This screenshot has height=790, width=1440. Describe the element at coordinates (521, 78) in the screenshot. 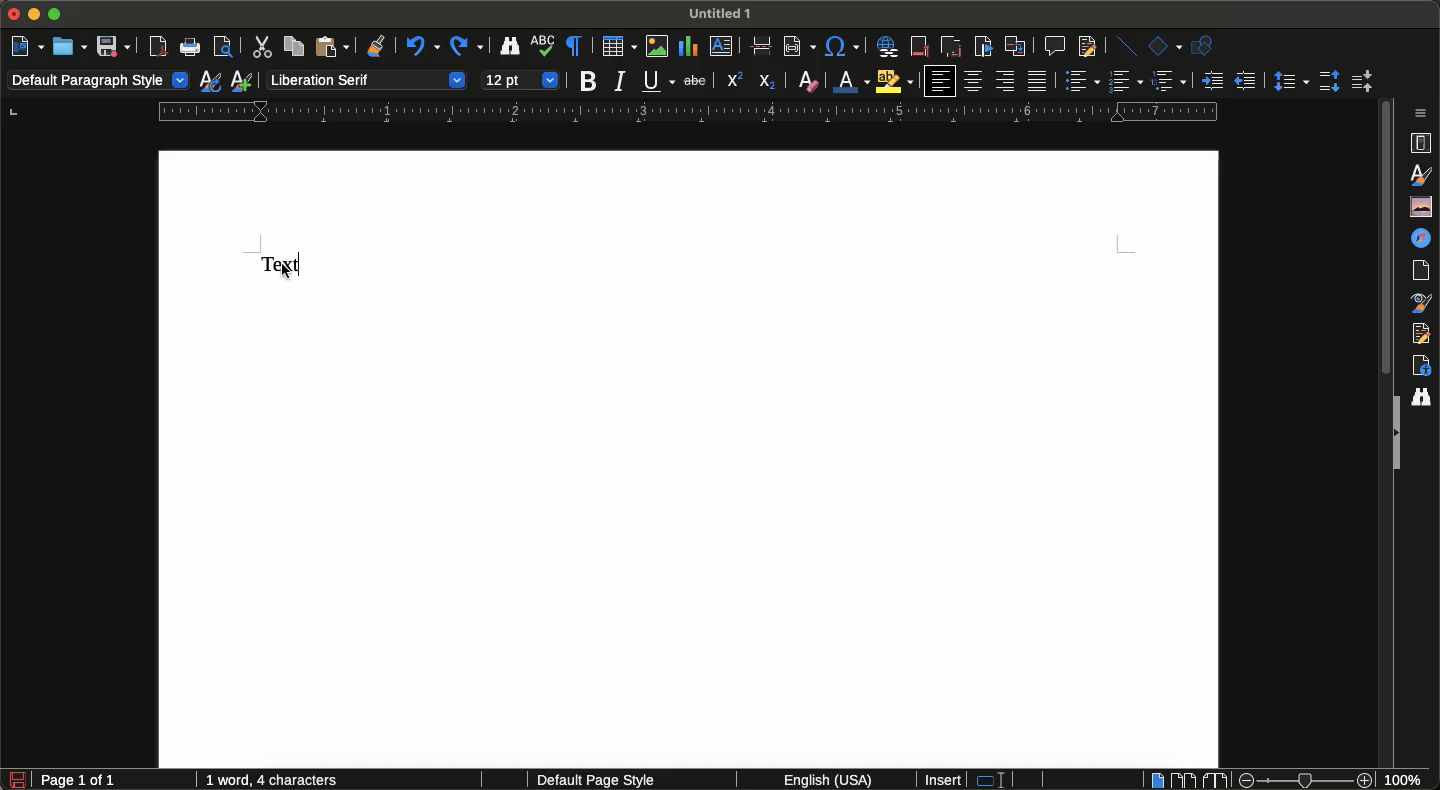

I see `Font size` at that location.